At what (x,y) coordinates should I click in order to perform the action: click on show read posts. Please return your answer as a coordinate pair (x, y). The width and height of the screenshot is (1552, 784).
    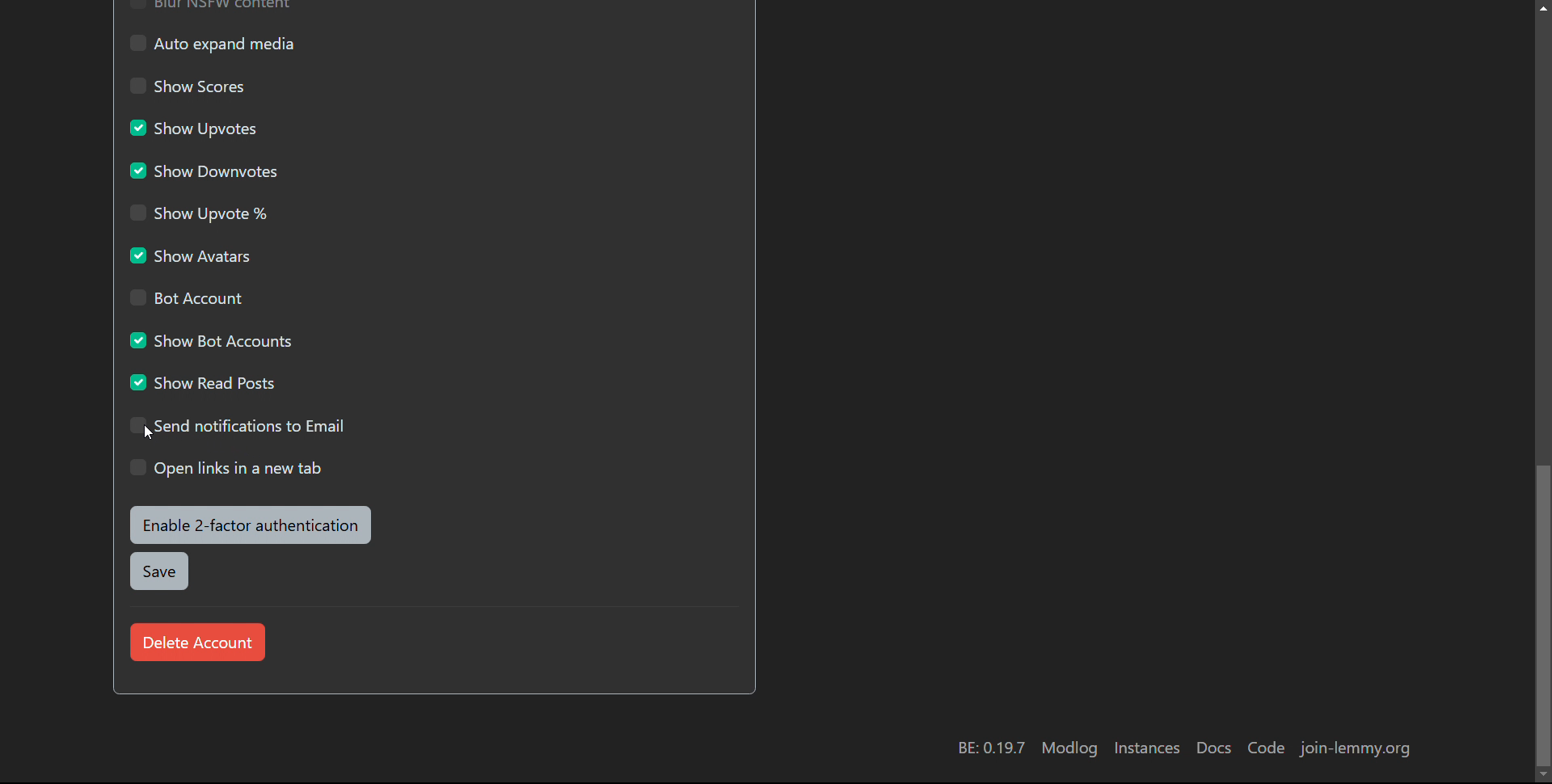
    Looking at the image, I should click on (203, 381).